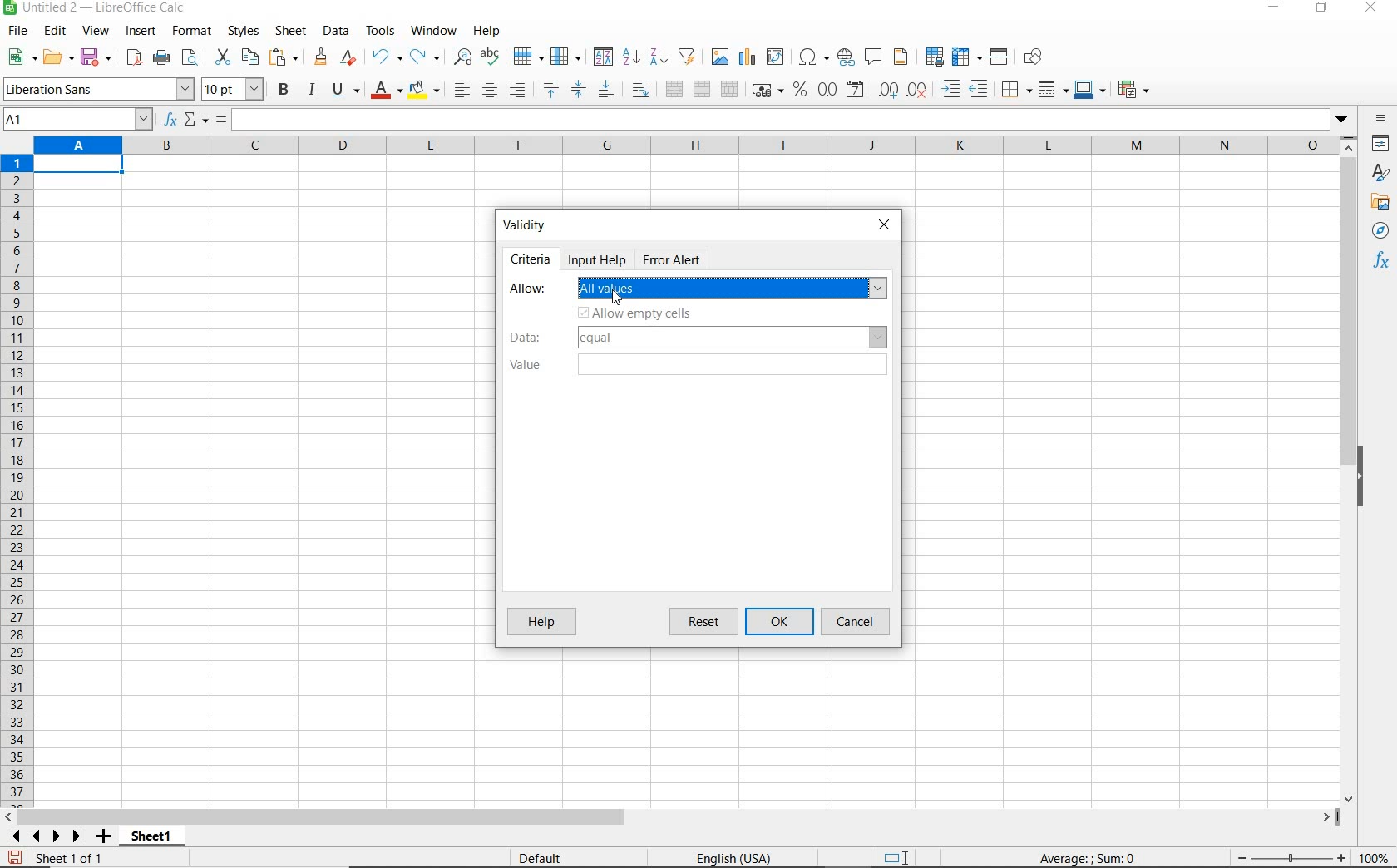 This screenshot has height=868, width=1397. What do you see at coordinates (388, 90) in the screenshot?
I see `font color` at bounding box center [388, 90].